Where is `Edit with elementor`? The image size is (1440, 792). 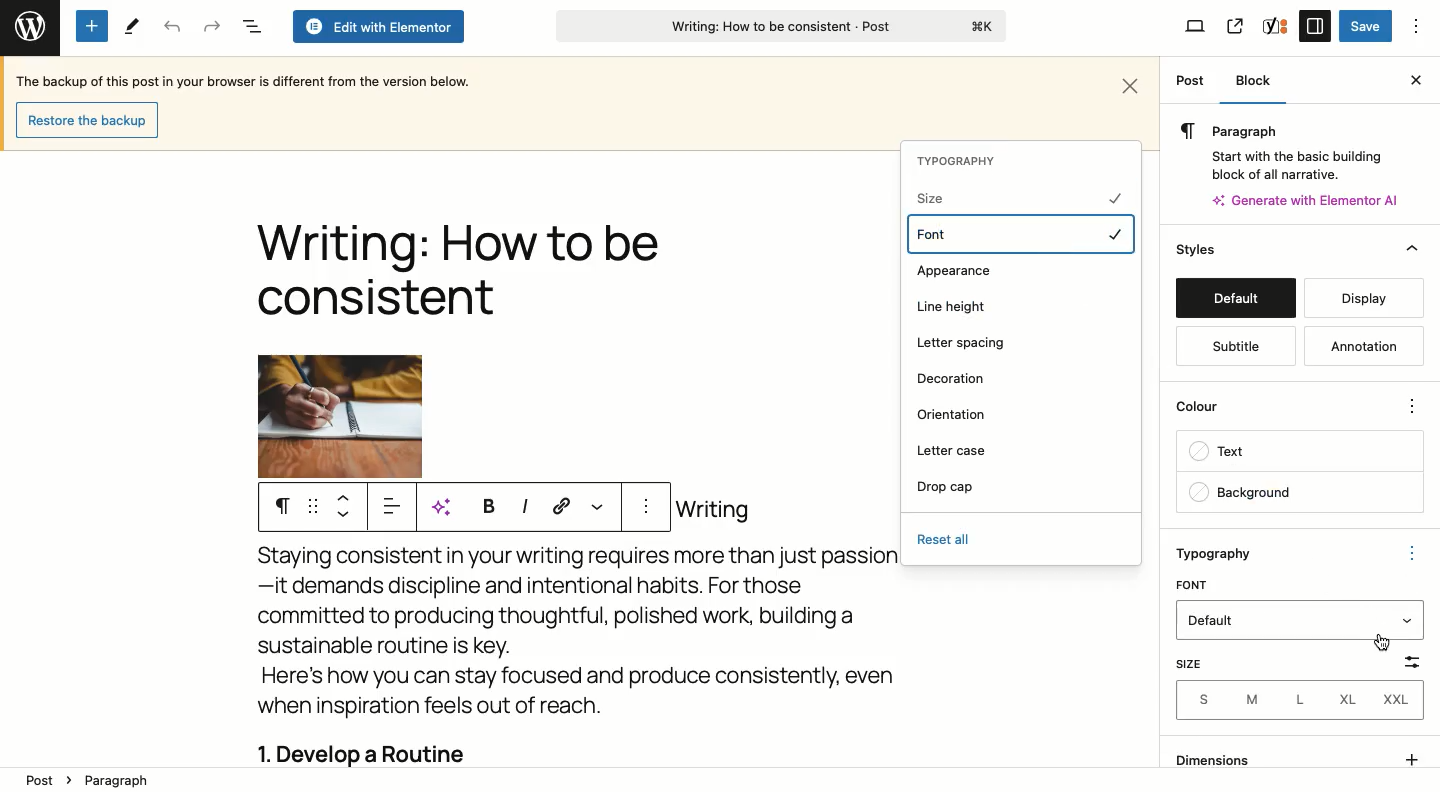
Edit with elementor is located at coordinates (377, 27).